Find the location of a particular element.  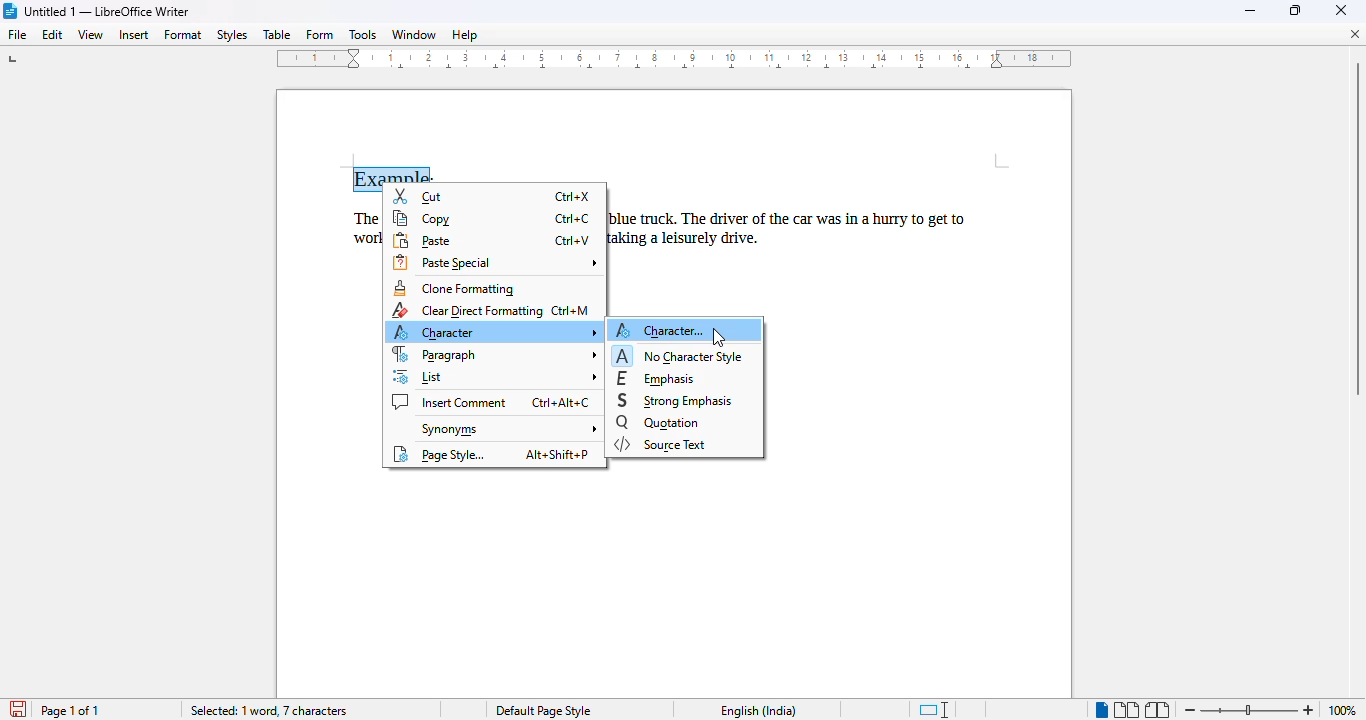

Vertical scroll bar is located at coordinates (1357, 230).